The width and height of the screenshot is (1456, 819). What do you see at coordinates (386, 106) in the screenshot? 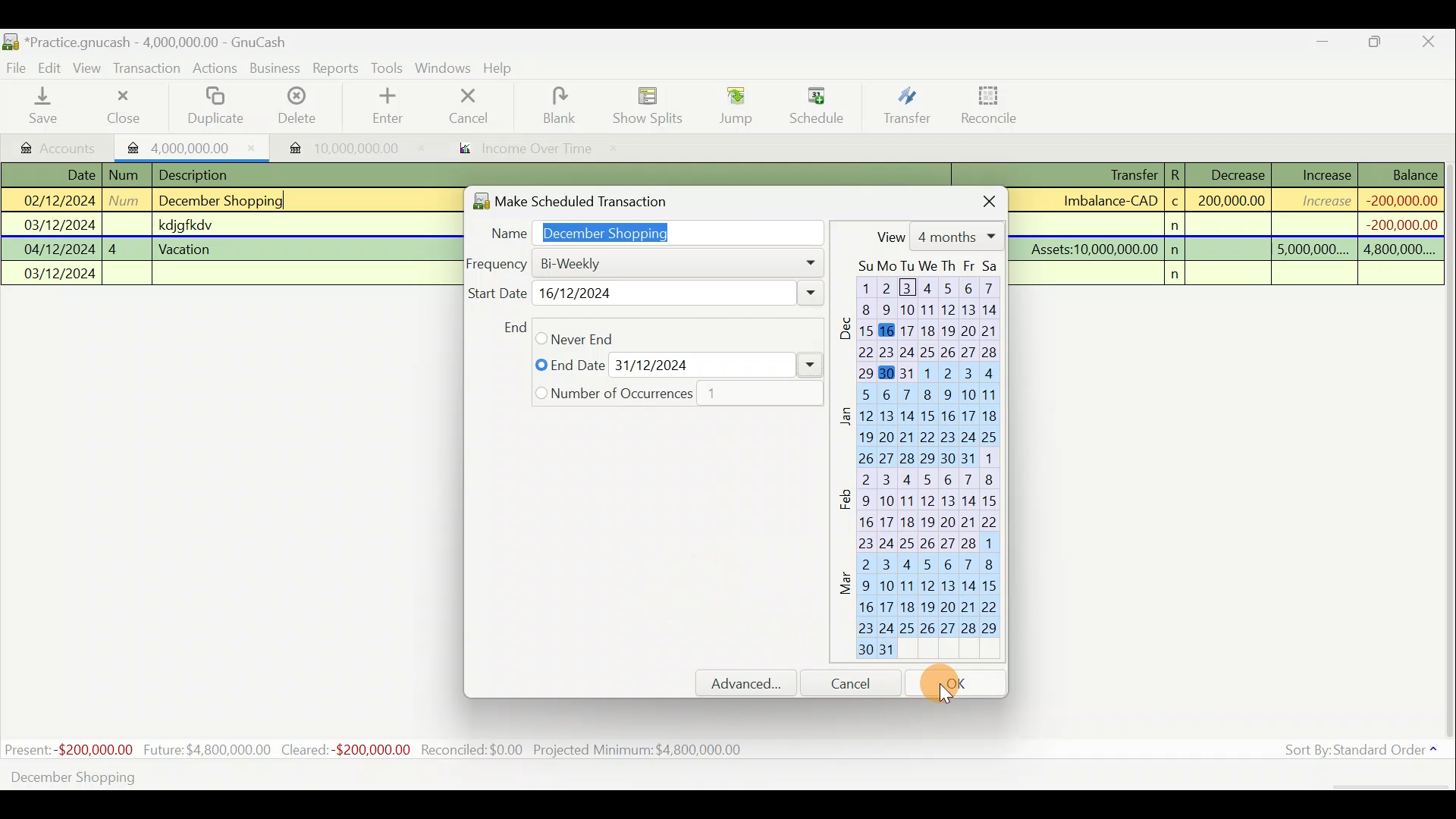
I see `Enter` at bounding box center [386, 106].